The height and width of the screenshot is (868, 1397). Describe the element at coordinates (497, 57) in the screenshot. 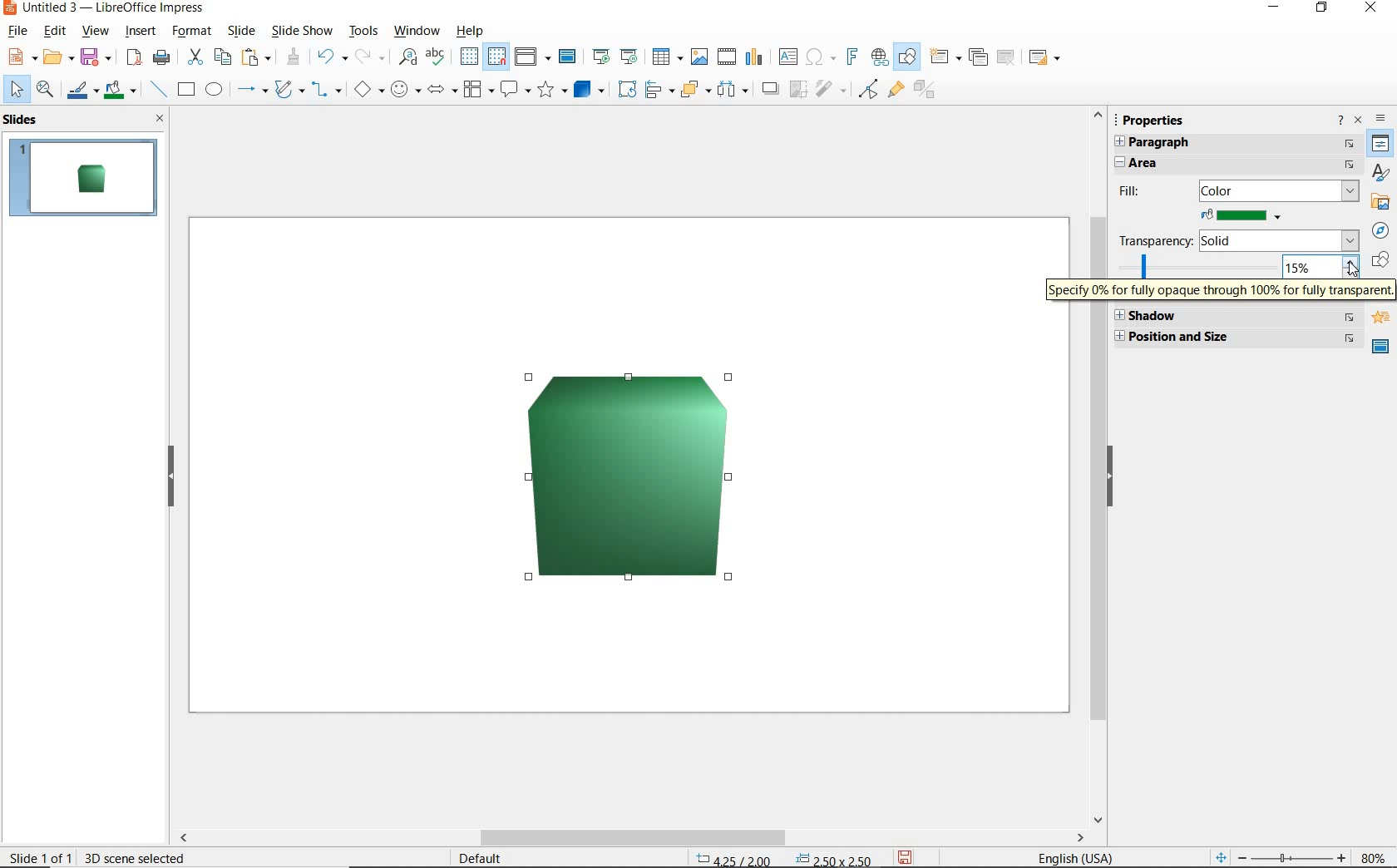

I see `snap to grid` at that location.